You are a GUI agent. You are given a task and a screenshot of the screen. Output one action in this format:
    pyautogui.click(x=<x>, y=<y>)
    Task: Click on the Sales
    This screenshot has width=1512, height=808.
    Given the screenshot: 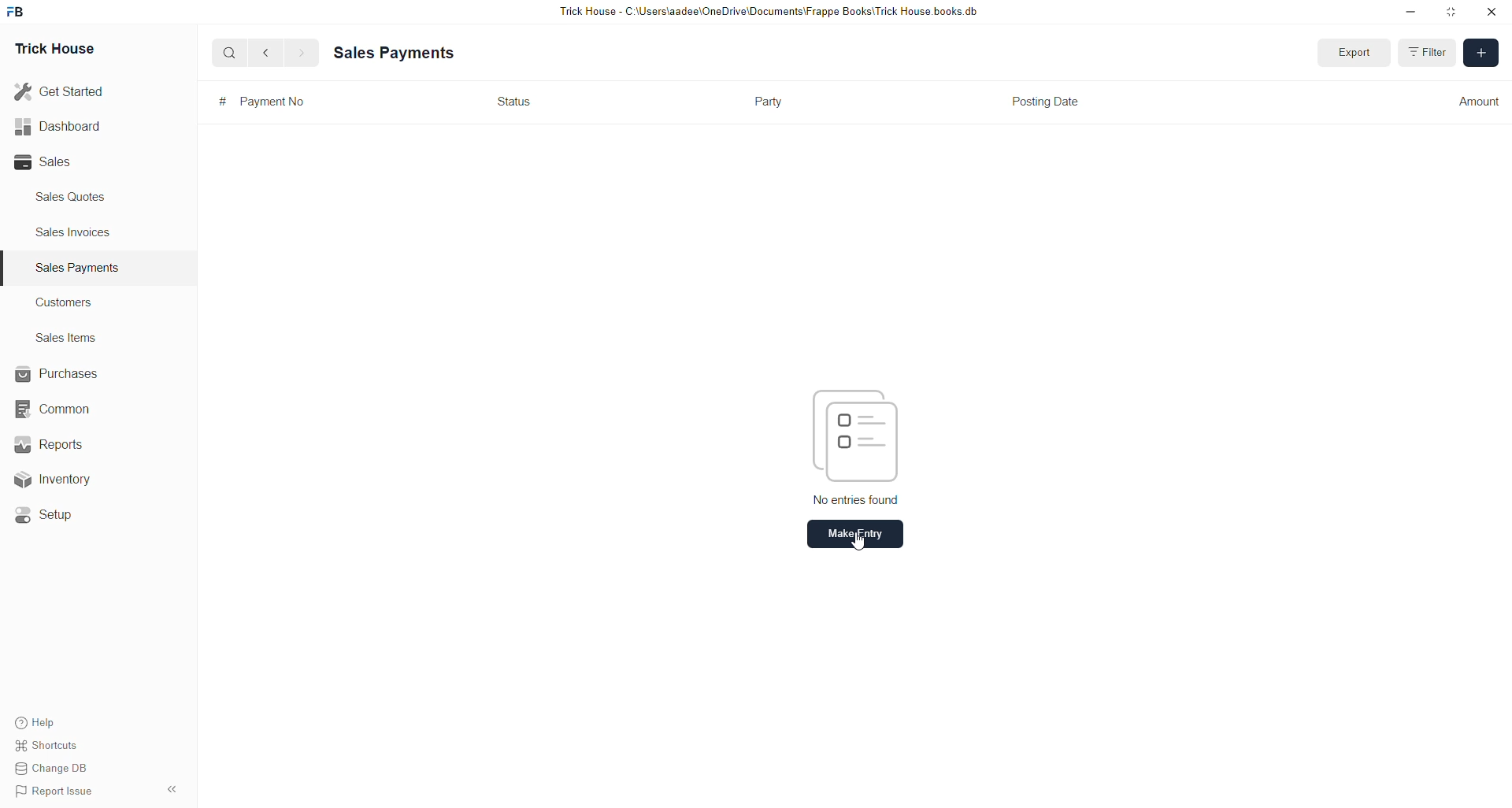 What is the action you would take?
    pyautogui.click(x=47, y=162)
    